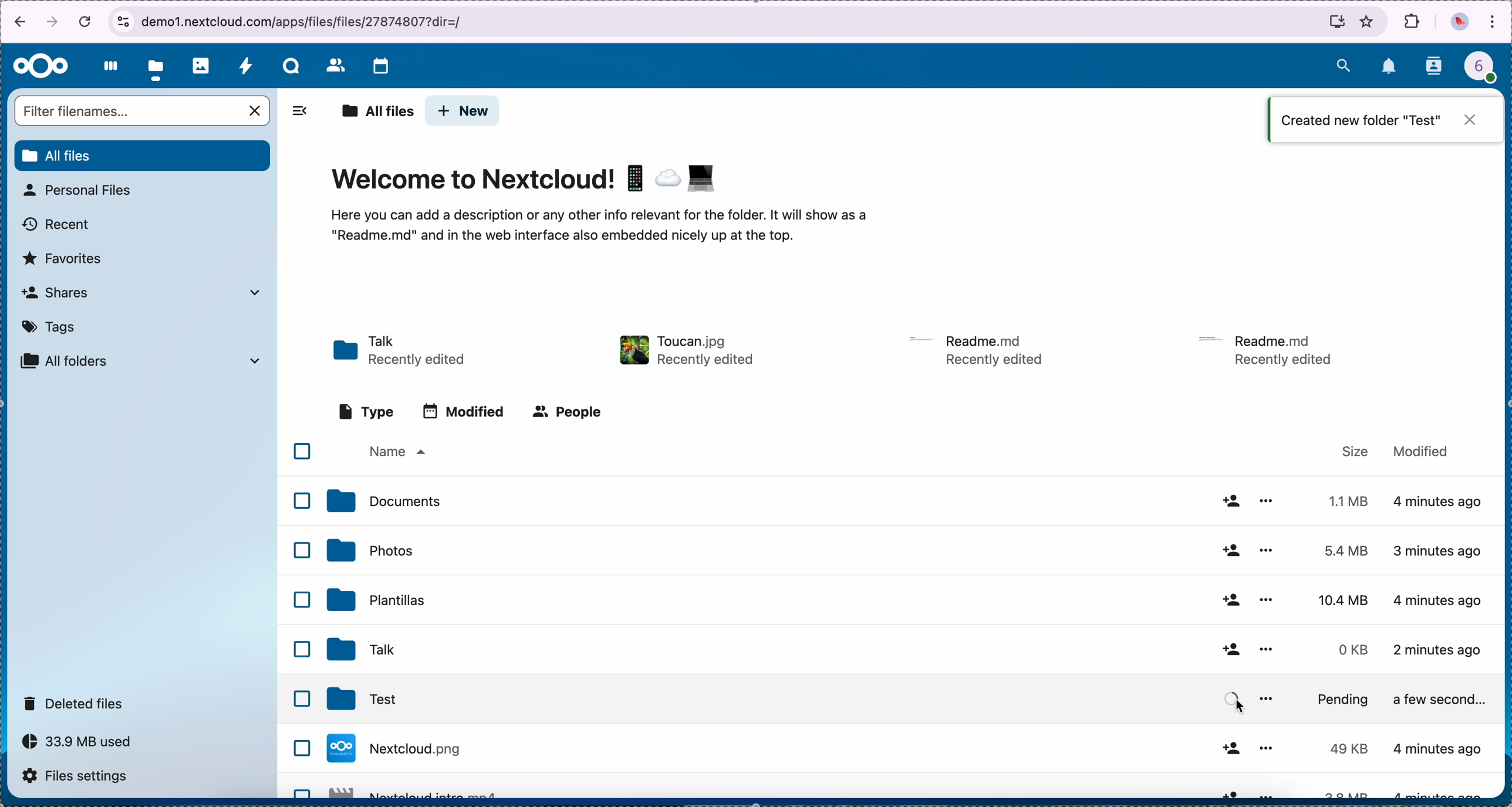 The height and width of the screenshot is (807, 1512). What do you see at coordinates (158, 66) in the screenshot?
I see `click on files button` at bounding box center [158, 66].